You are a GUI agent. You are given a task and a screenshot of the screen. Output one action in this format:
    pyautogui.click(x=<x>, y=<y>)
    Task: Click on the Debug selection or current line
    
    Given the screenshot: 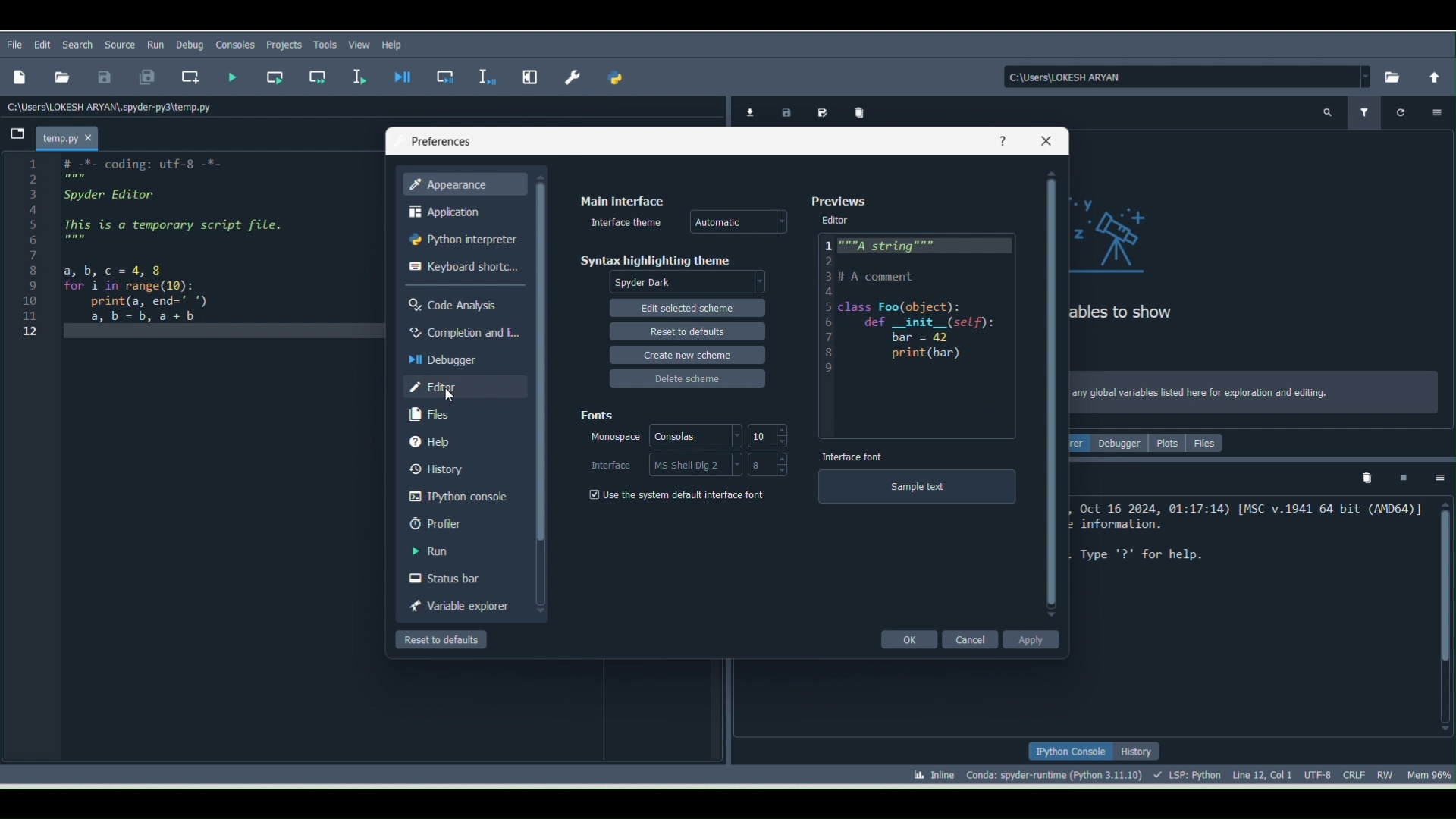 What is the action you would take?
    pyautogui.click(x=485, y=74)
    